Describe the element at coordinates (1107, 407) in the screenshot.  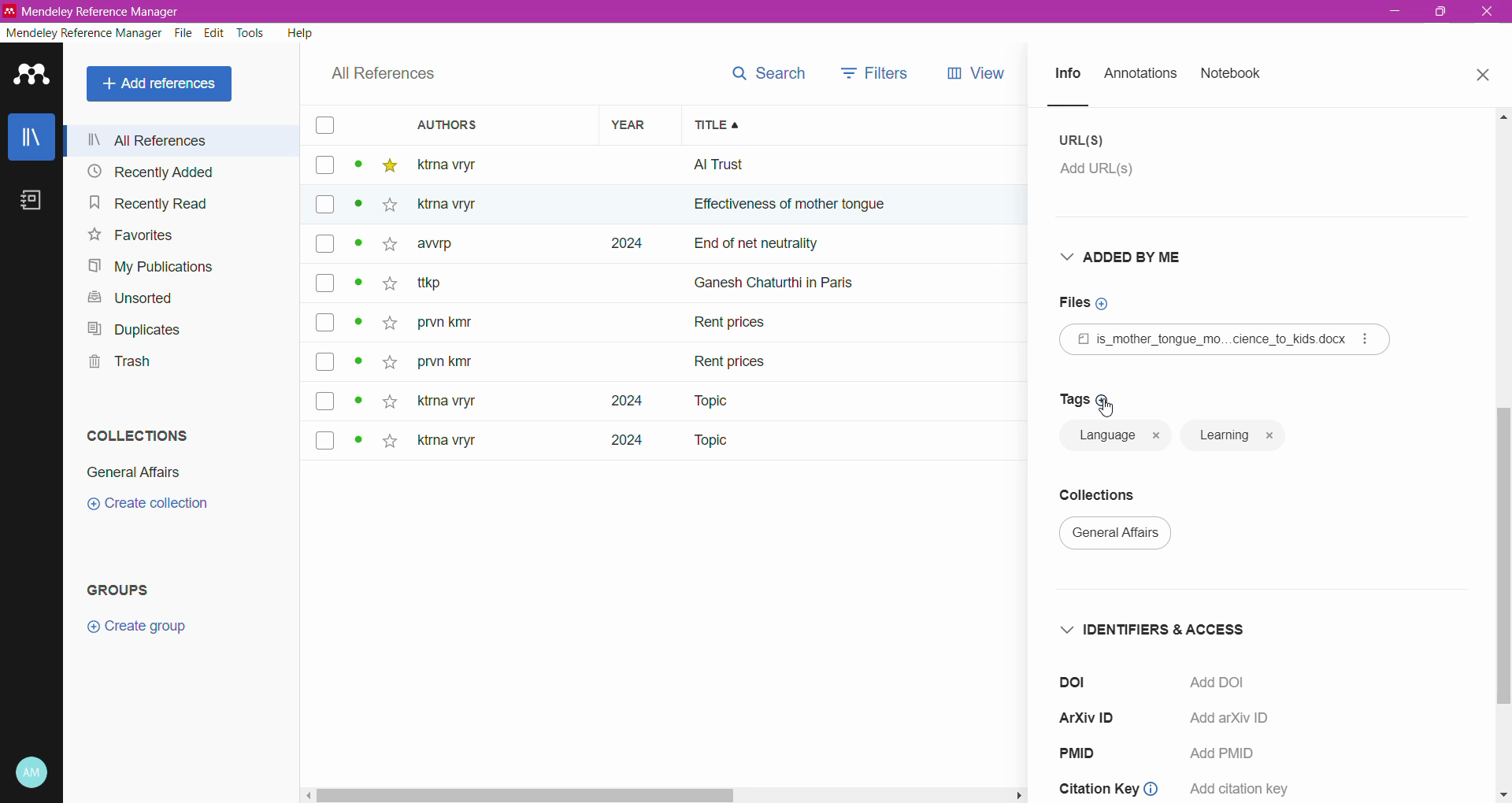
I see `Cursor` at that location.